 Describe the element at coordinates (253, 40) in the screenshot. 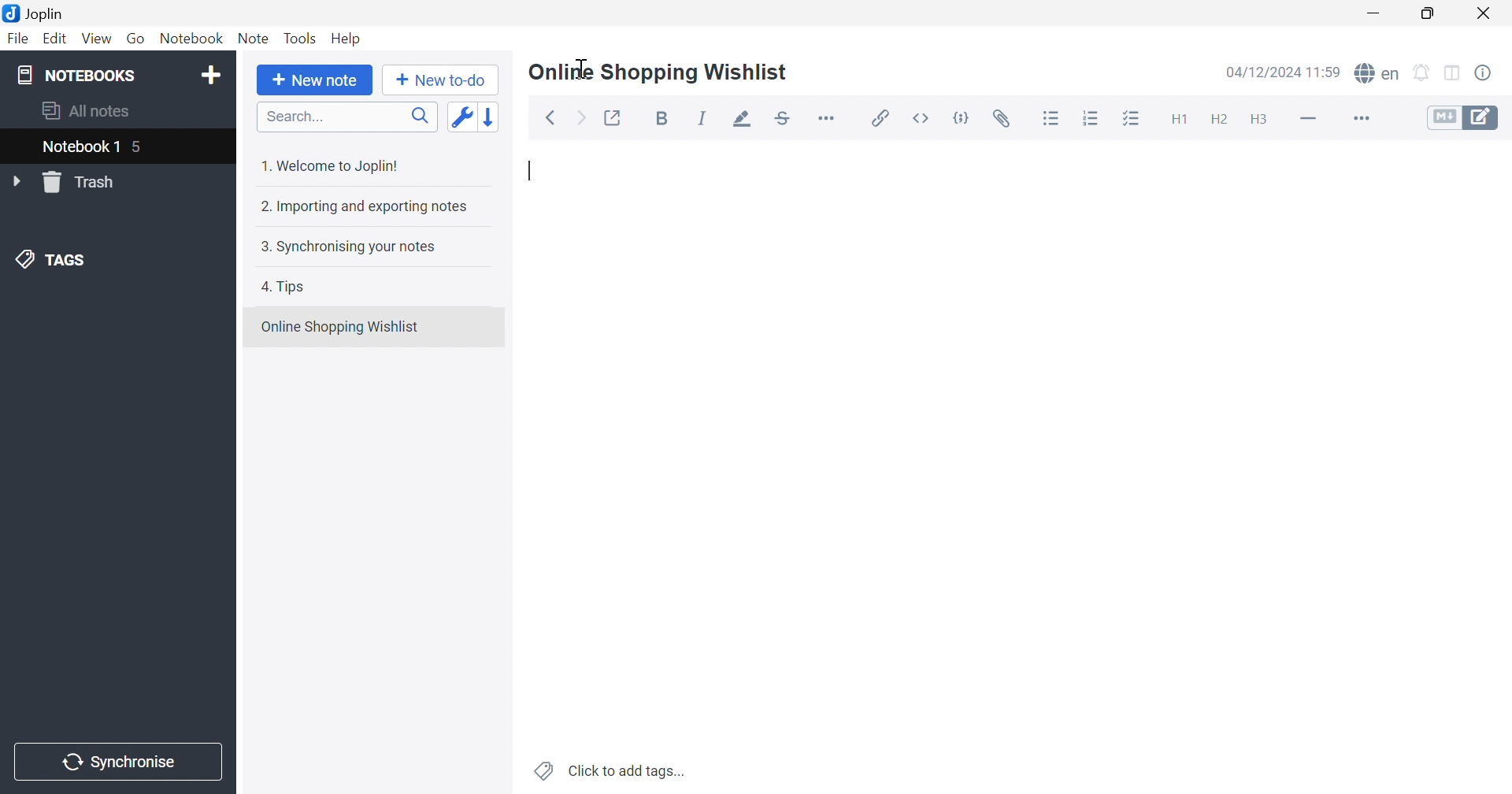

I see `Note` at that location.